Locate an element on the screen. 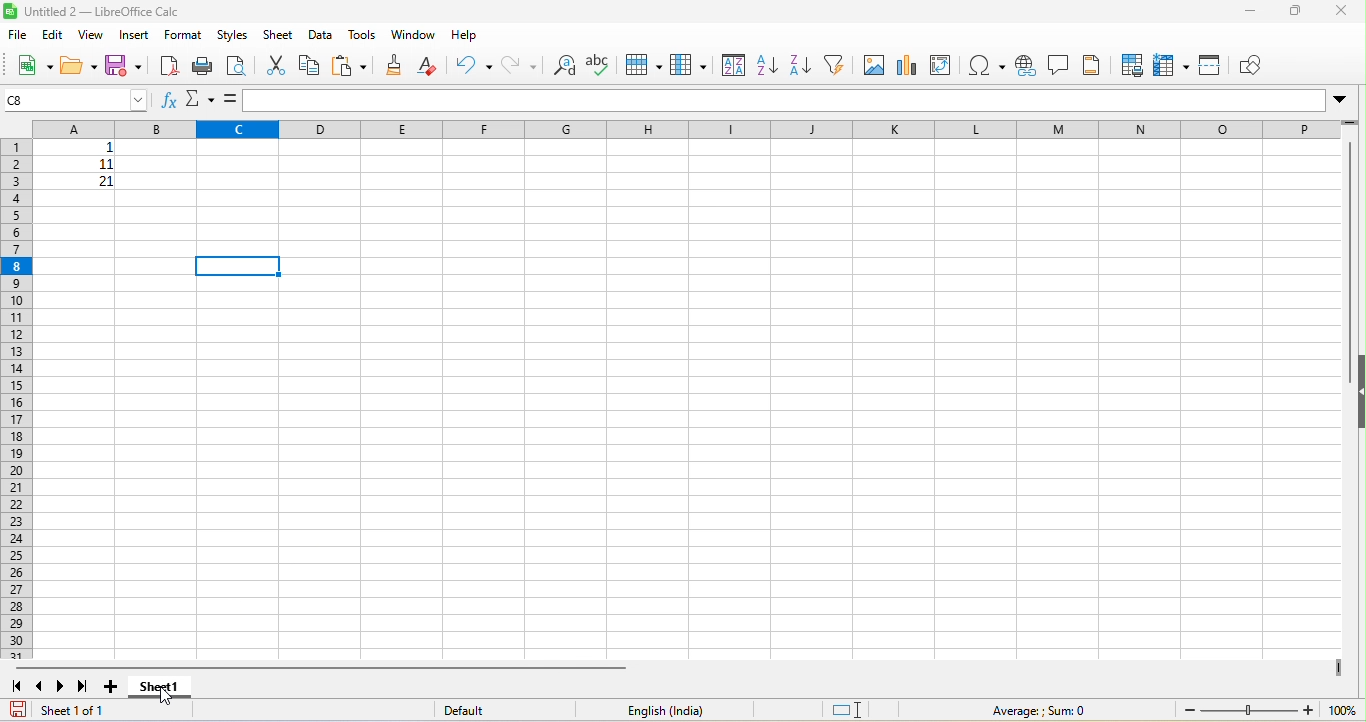 Image resolution: width=1366 pixels, height=722 pixels. open is located at coordinates (78, 67).